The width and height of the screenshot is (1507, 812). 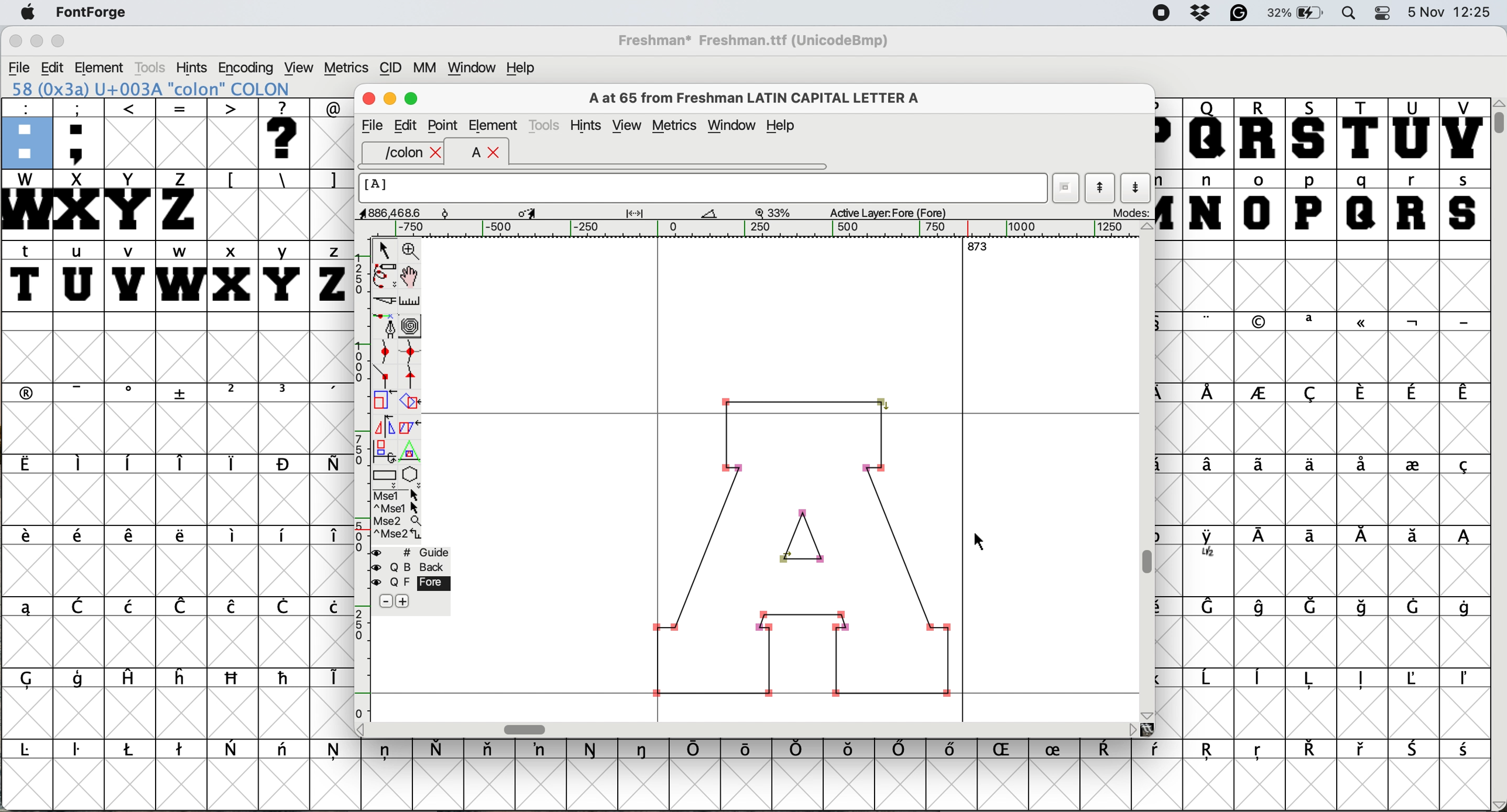 I want to click on element, so click(x=102, y=67).